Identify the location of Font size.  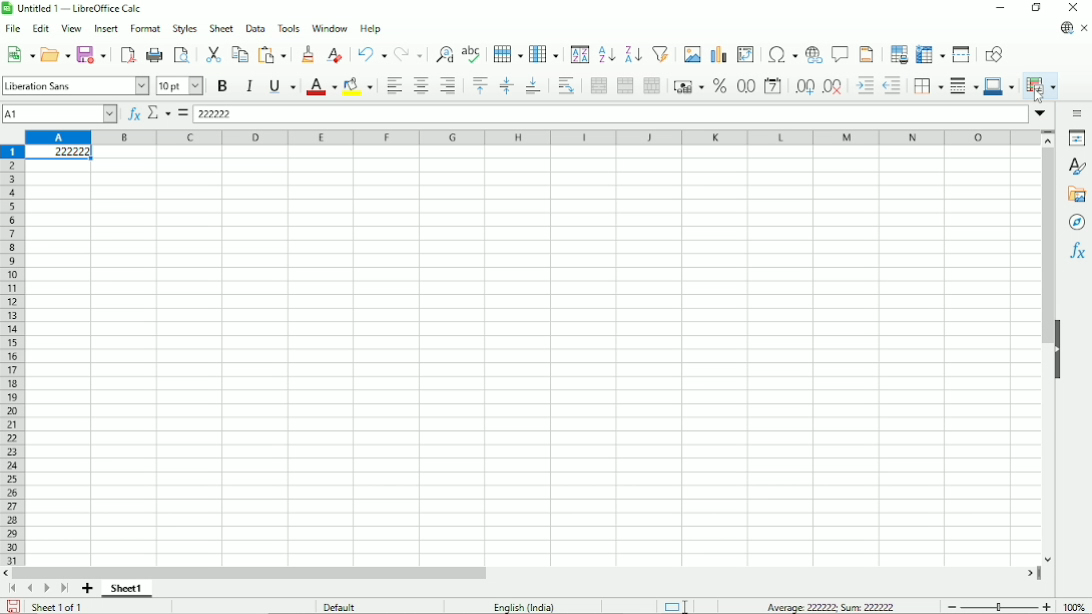
(178, 86).